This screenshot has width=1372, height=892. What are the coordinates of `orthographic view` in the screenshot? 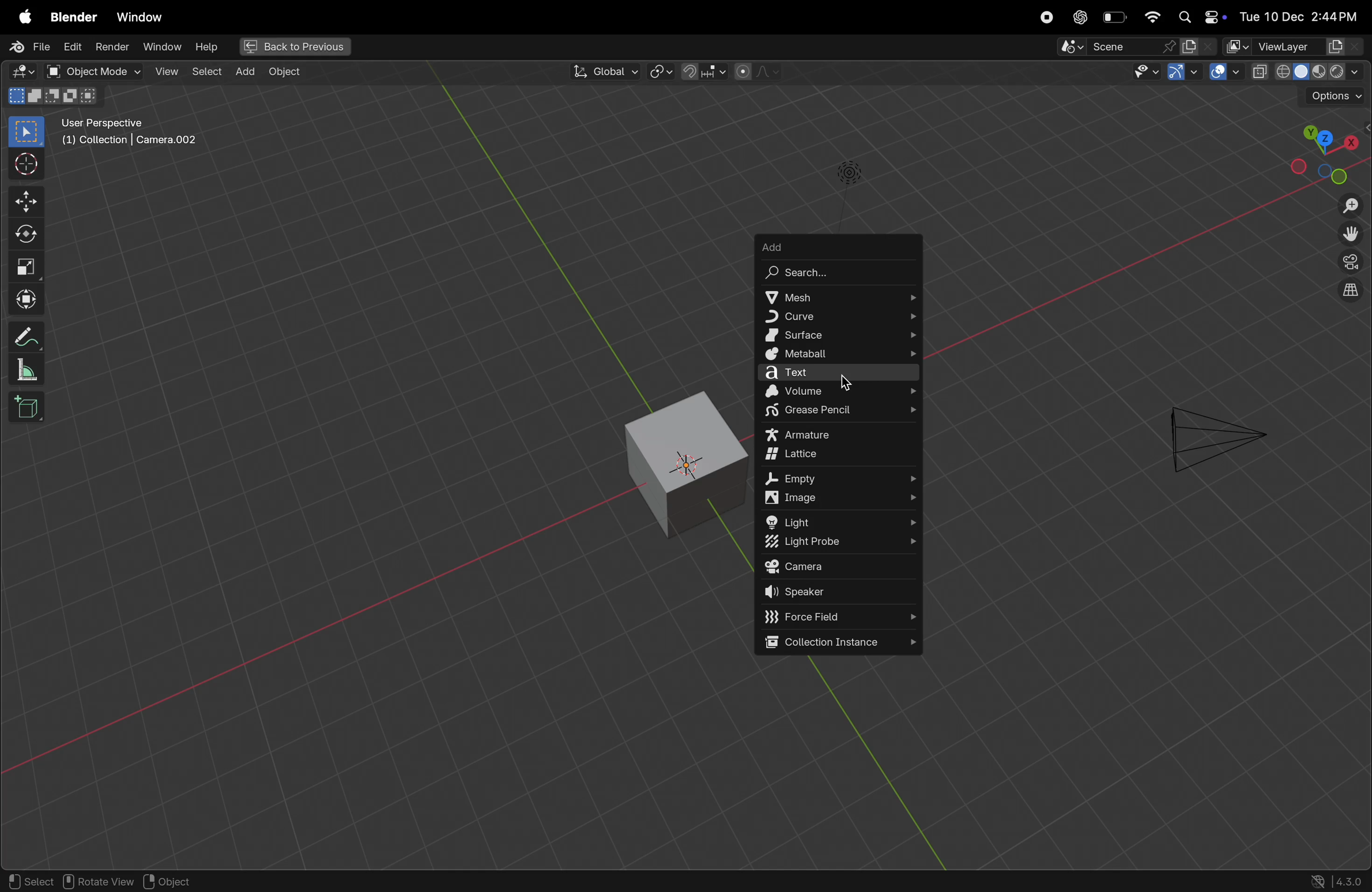 It's located at (1351, 292).